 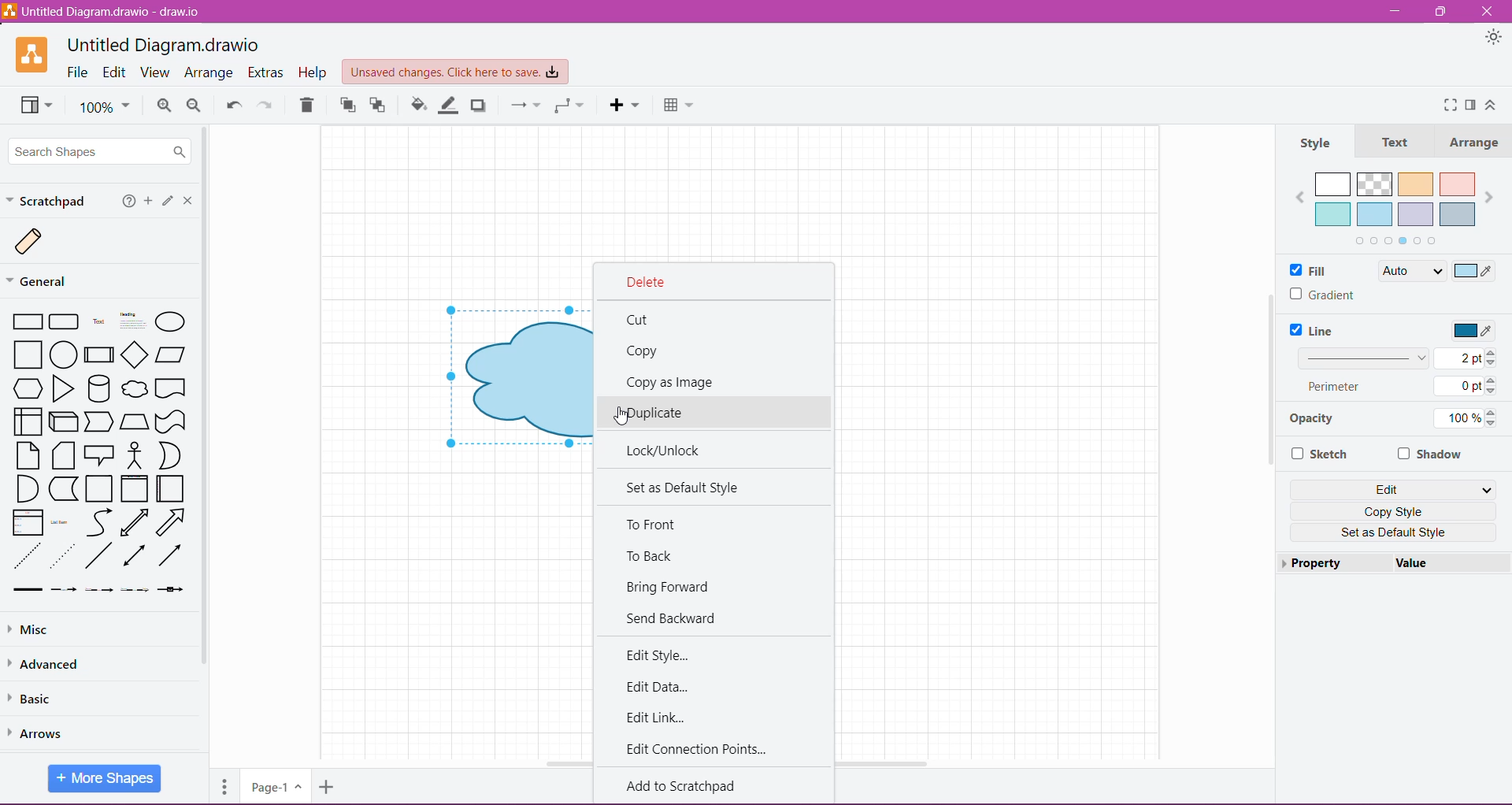 What do you see at coordinates (76, 72) in the screenshot?
I see `File` at bounding box center [76, 72].